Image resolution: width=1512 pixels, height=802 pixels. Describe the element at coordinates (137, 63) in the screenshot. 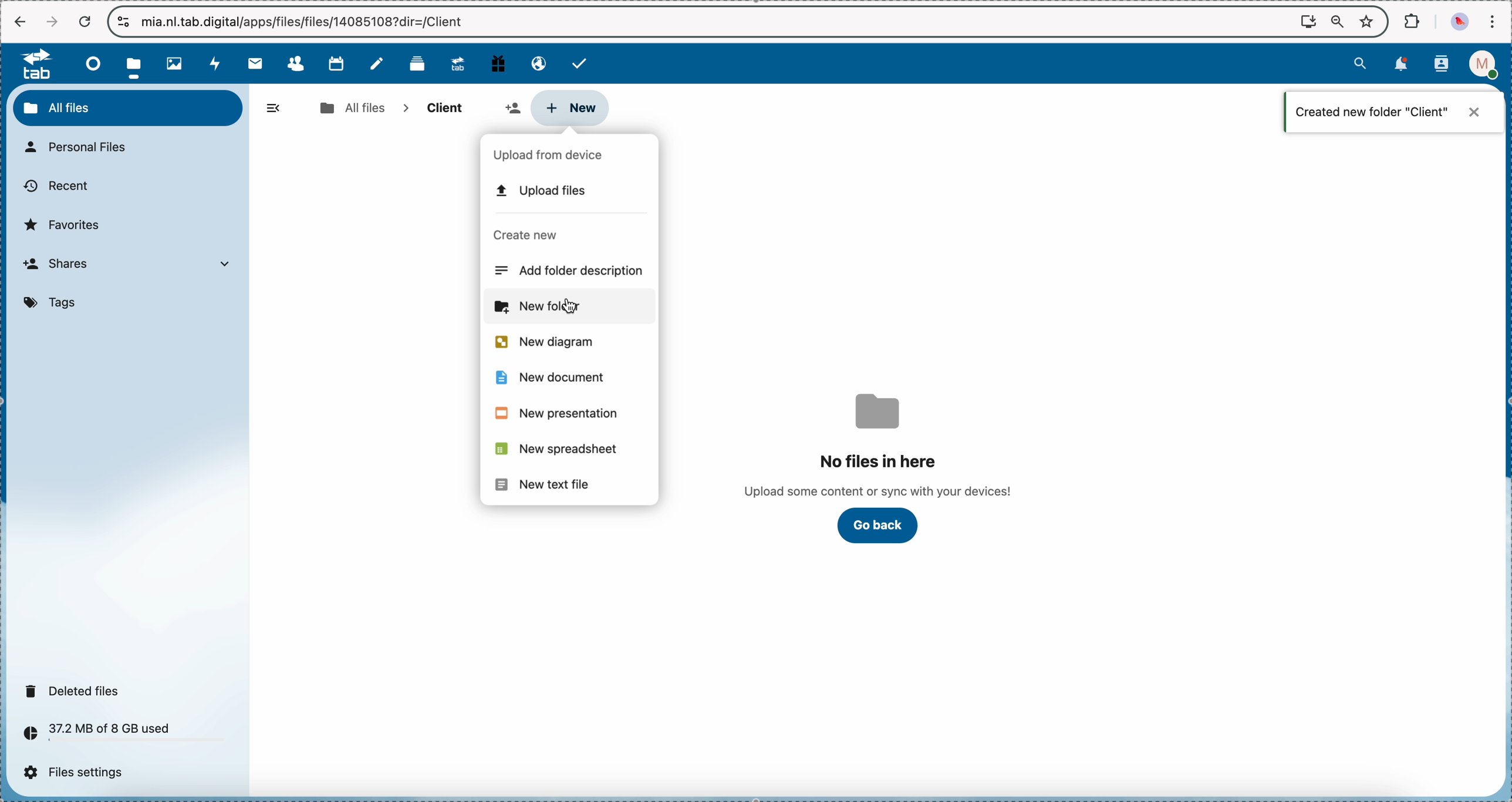

I see `click on files` at that location.